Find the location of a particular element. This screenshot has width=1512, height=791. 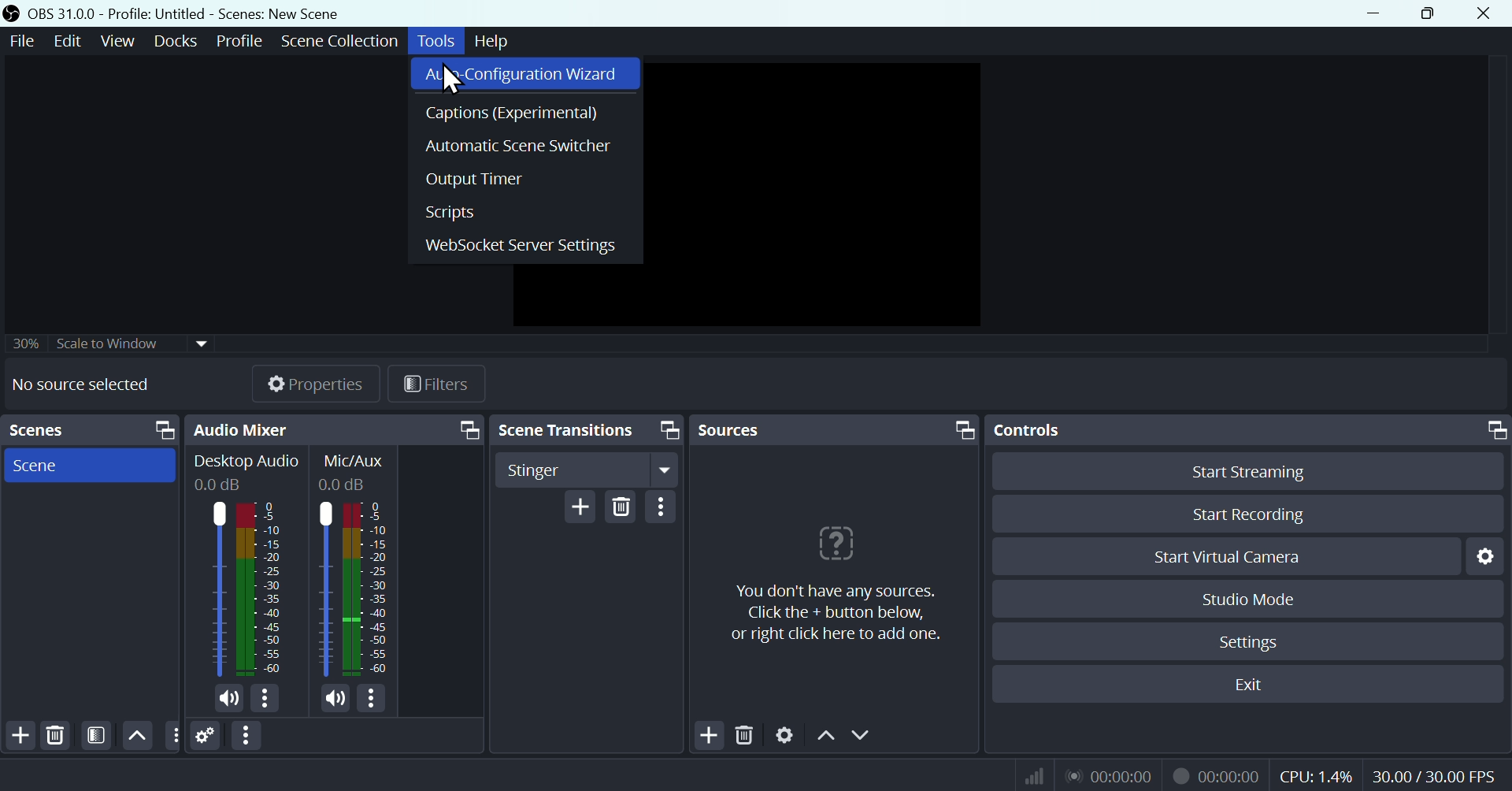

Up is located at coordinates (137, 735).